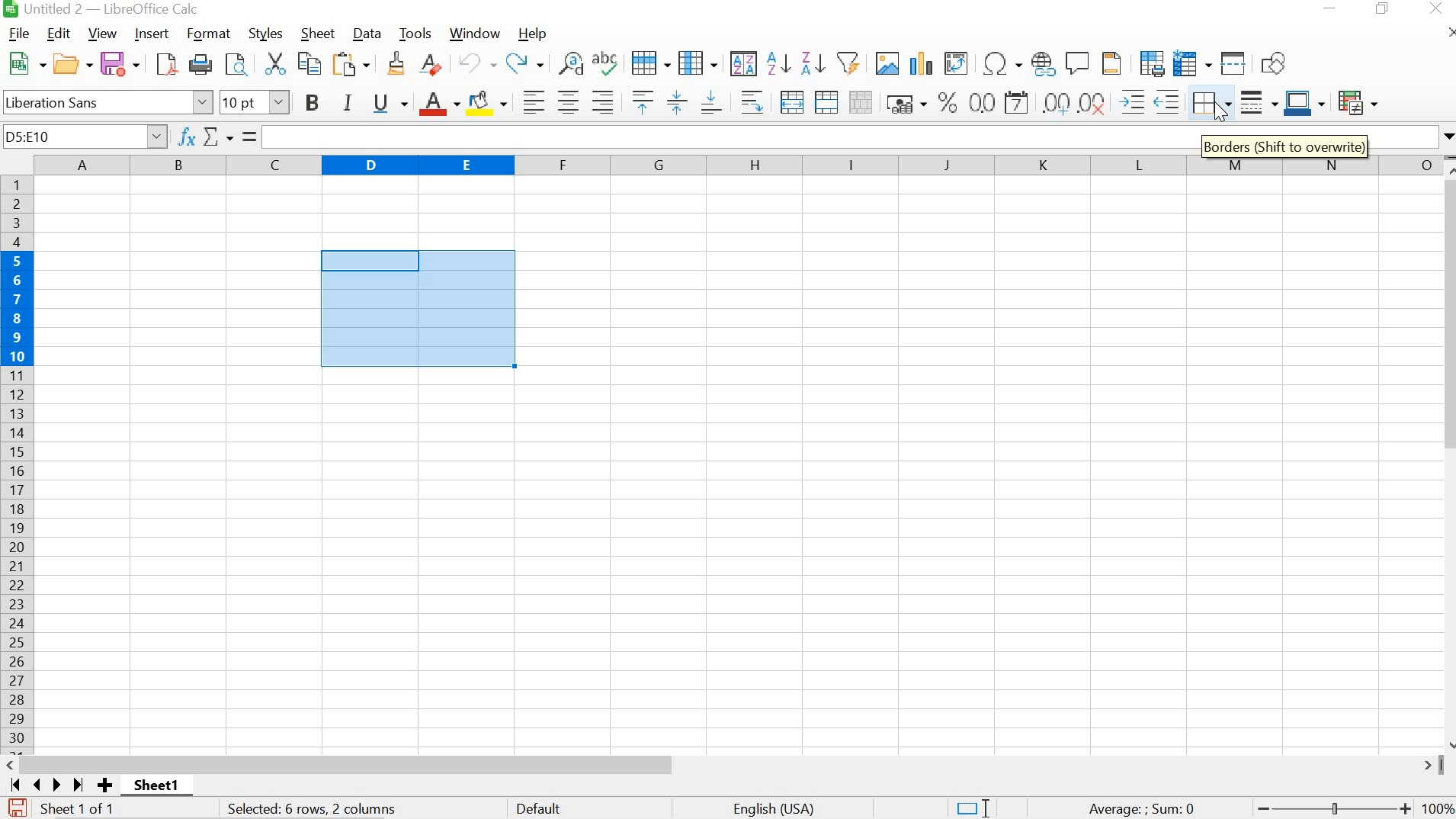  I want to click on scrollbar, so click(729, 765).